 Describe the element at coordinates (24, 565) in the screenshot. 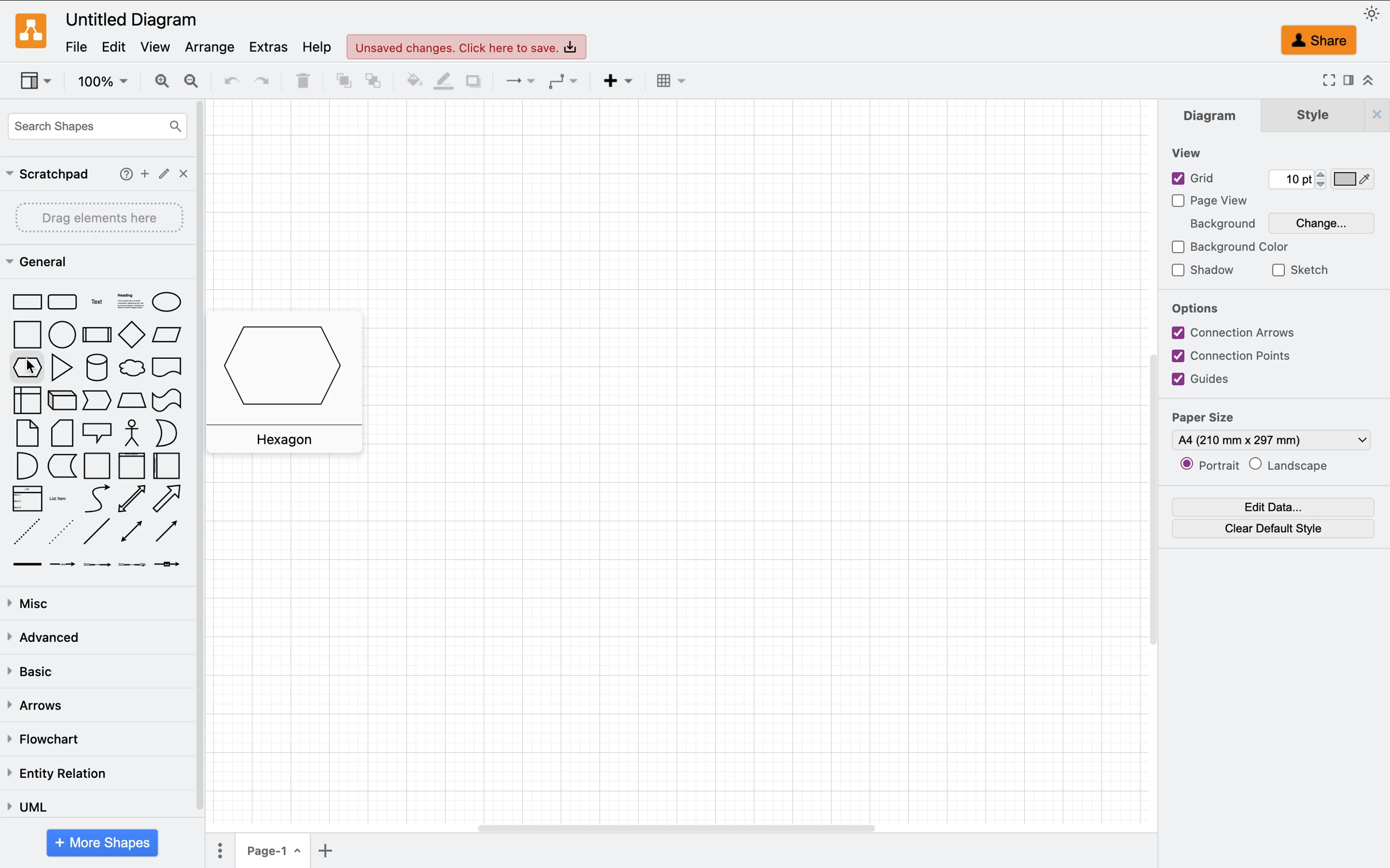

I see `link` at that location.